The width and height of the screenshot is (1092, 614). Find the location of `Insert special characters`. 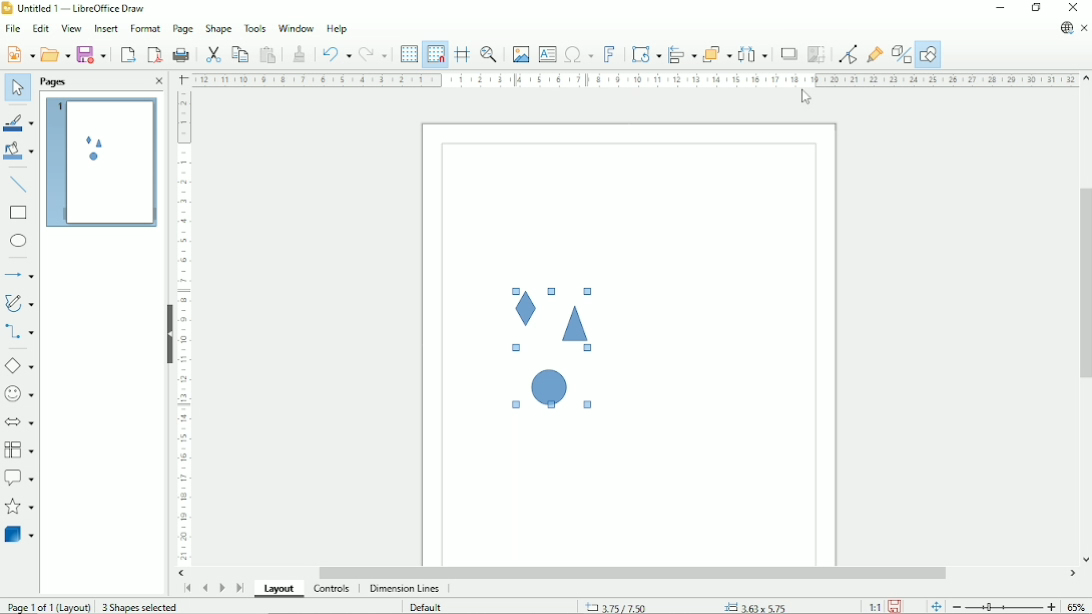

Insert special characters is located at coordinates (578, 54).